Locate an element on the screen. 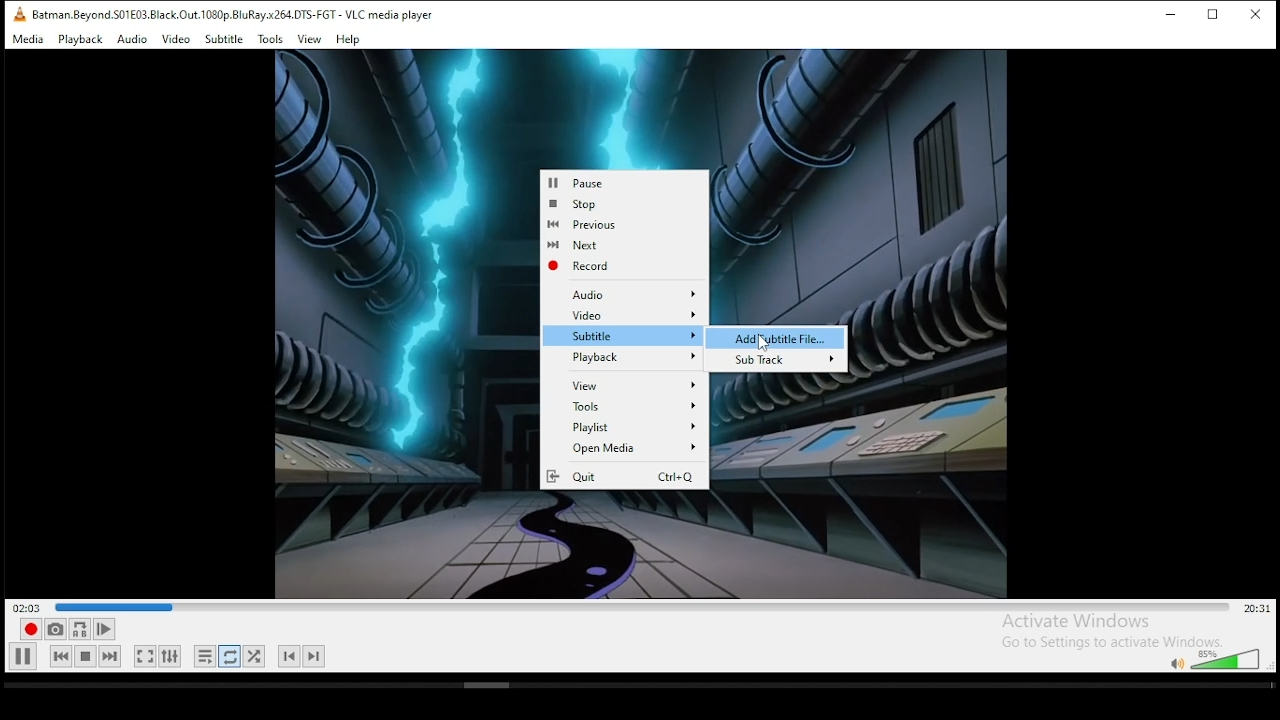 The width and height of the screenshot is (1280, 720). remaining/total time is located at coordinates (1256, 608).